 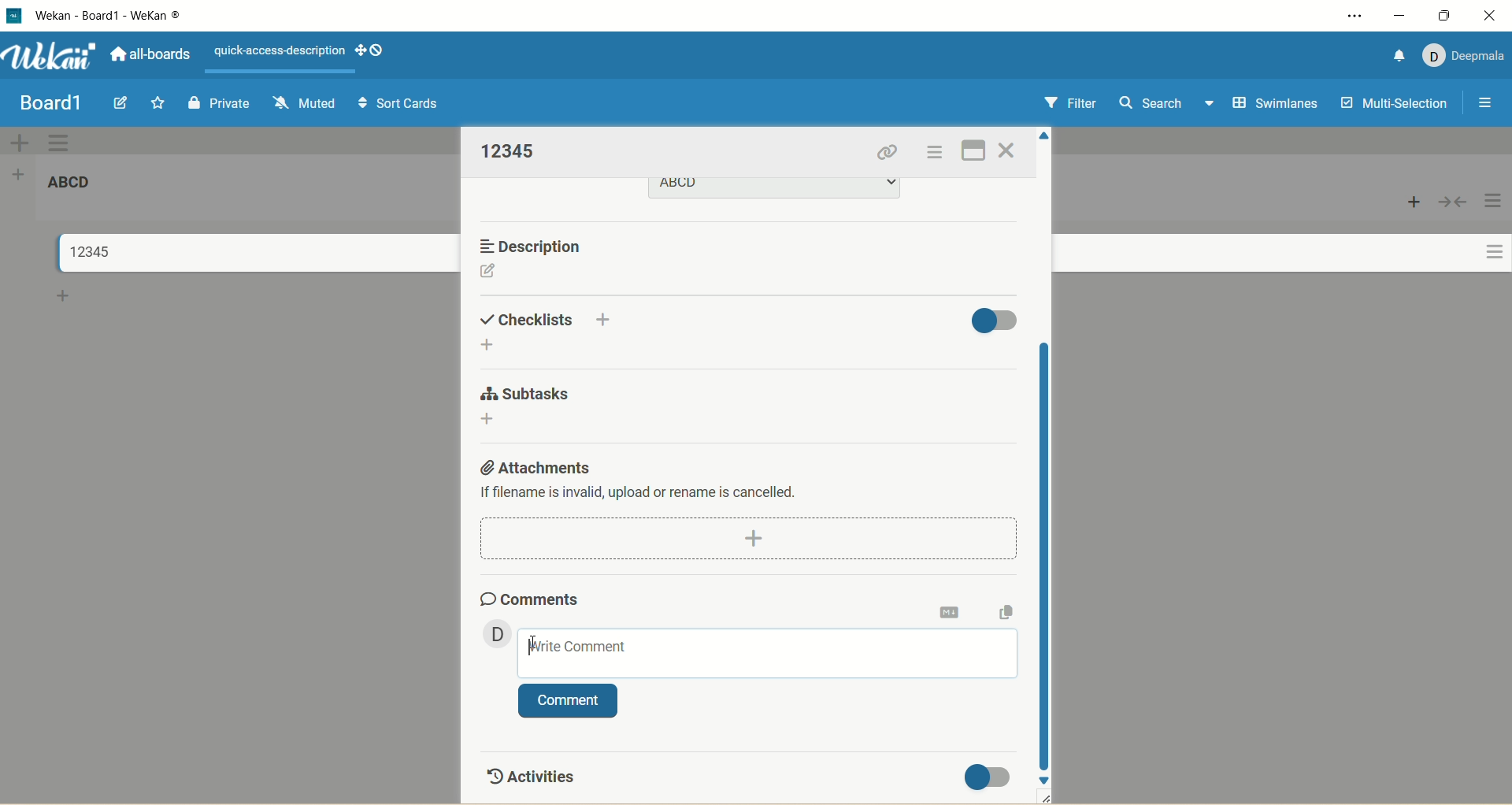 I want to click on minimize, so click(x=1398, y=16).